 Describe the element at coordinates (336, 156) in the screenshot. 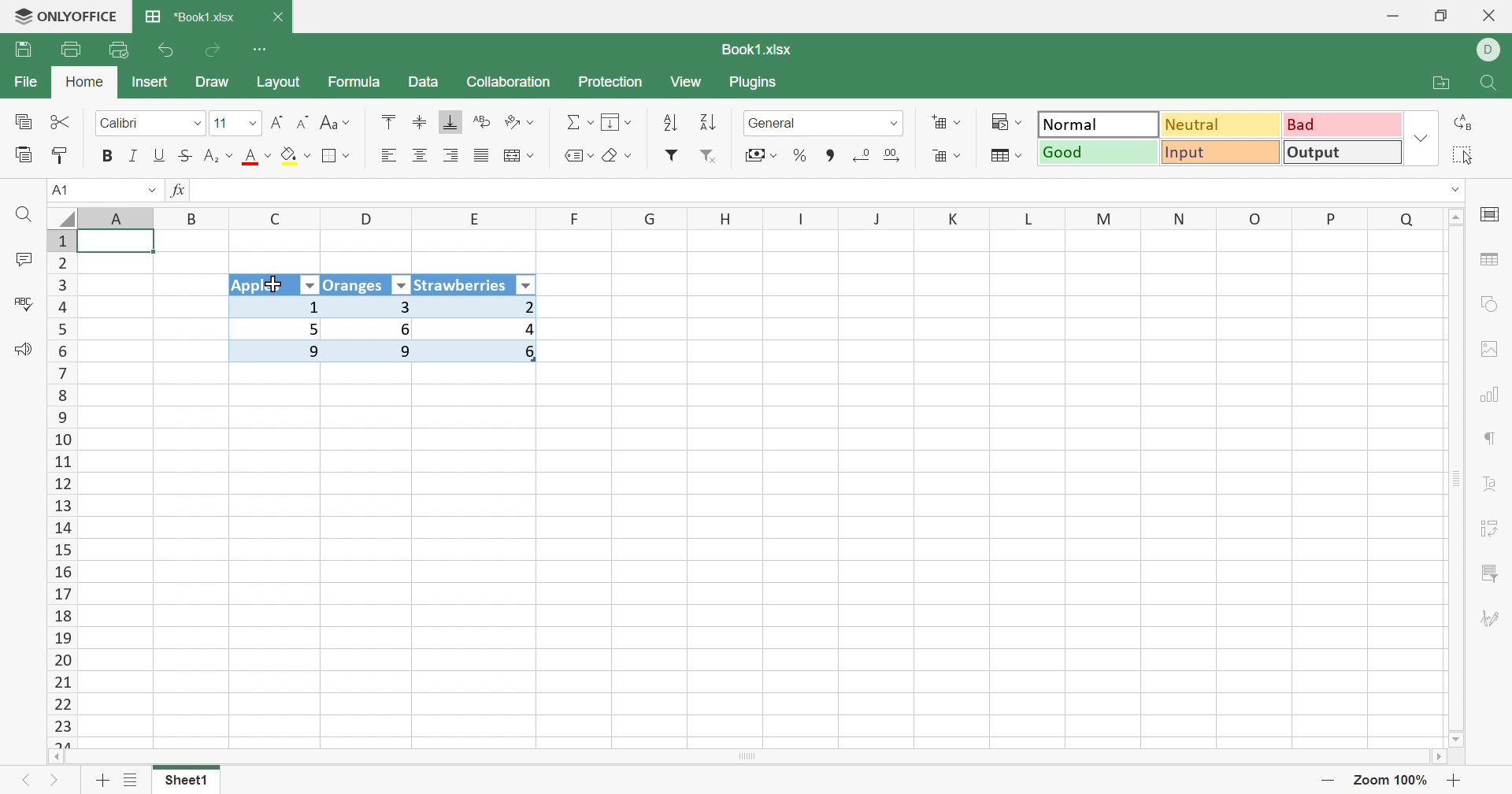

I see `Borders` at that location.